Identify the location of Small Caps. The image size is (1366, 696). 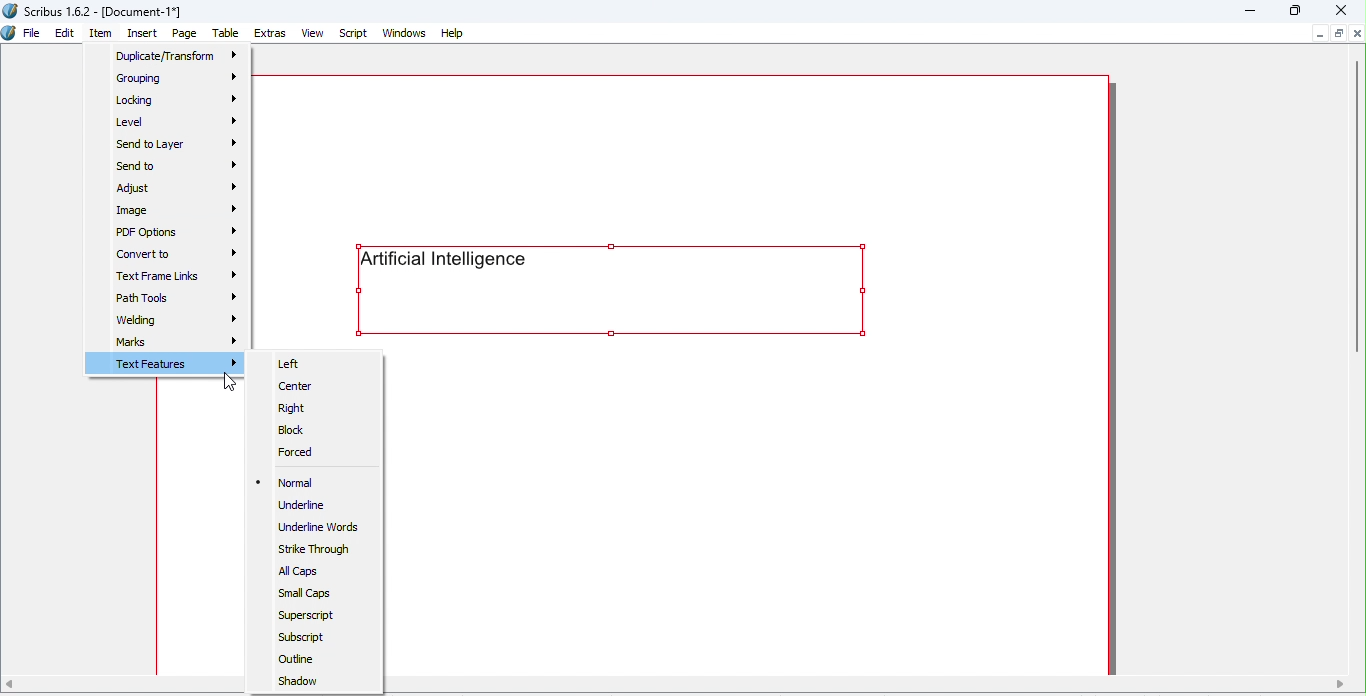
(307, 592).